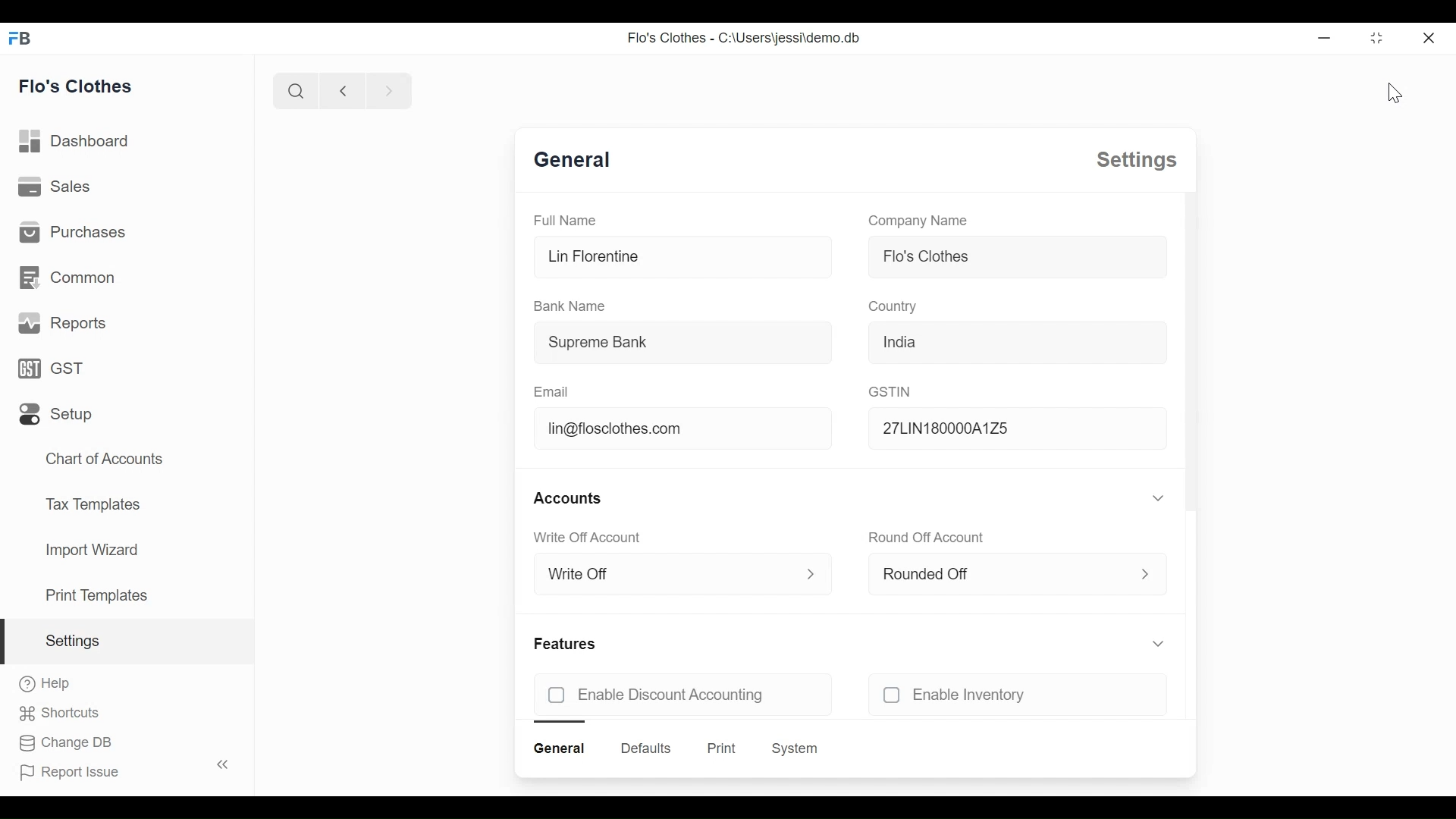  I want to click on Supreme bank, so click(595, 342).